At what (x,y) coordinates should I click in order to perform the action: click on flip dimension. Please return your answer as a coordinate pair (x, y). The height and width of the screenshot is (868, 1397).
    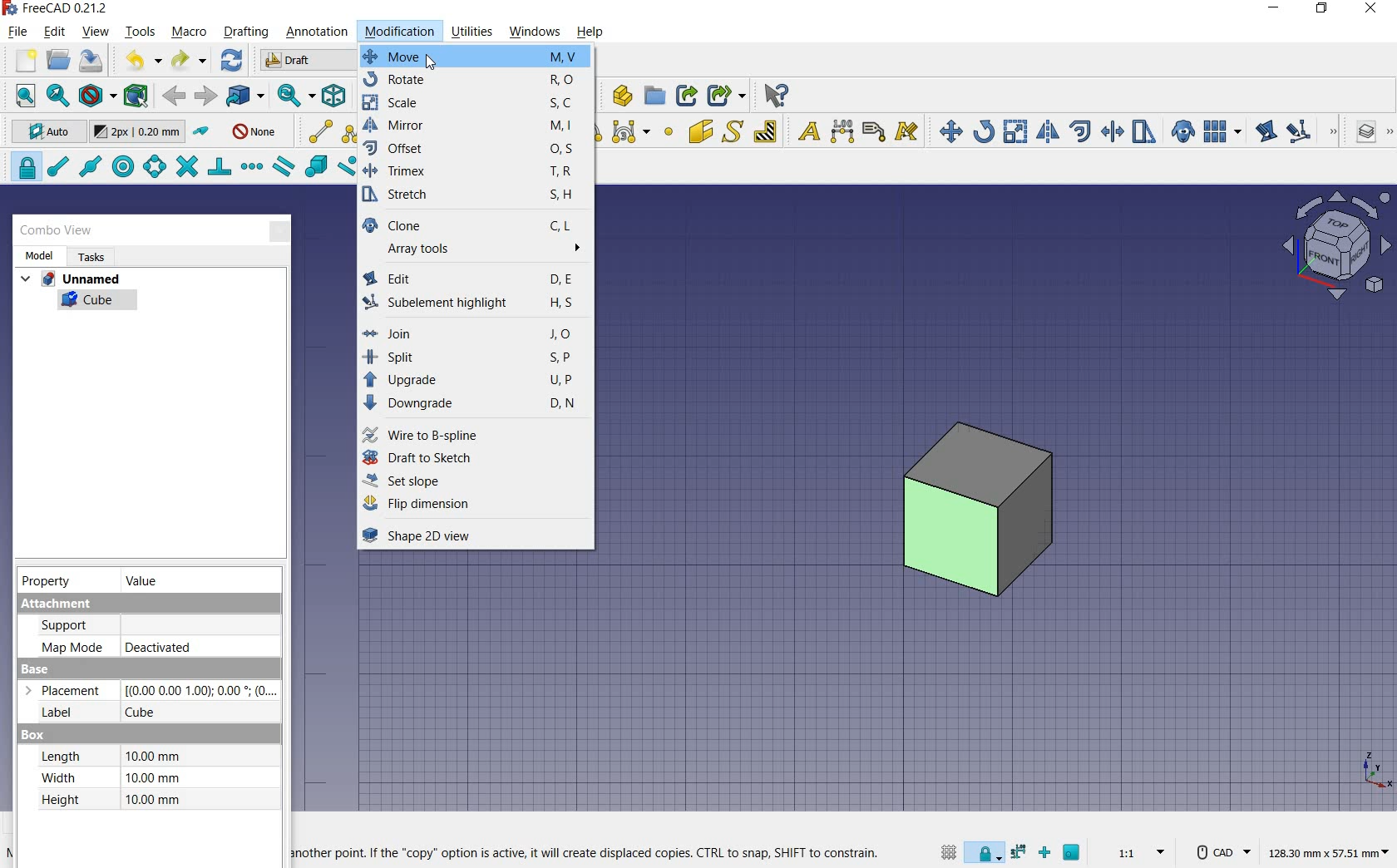
    Looking at the image, I should click on (471, 504).